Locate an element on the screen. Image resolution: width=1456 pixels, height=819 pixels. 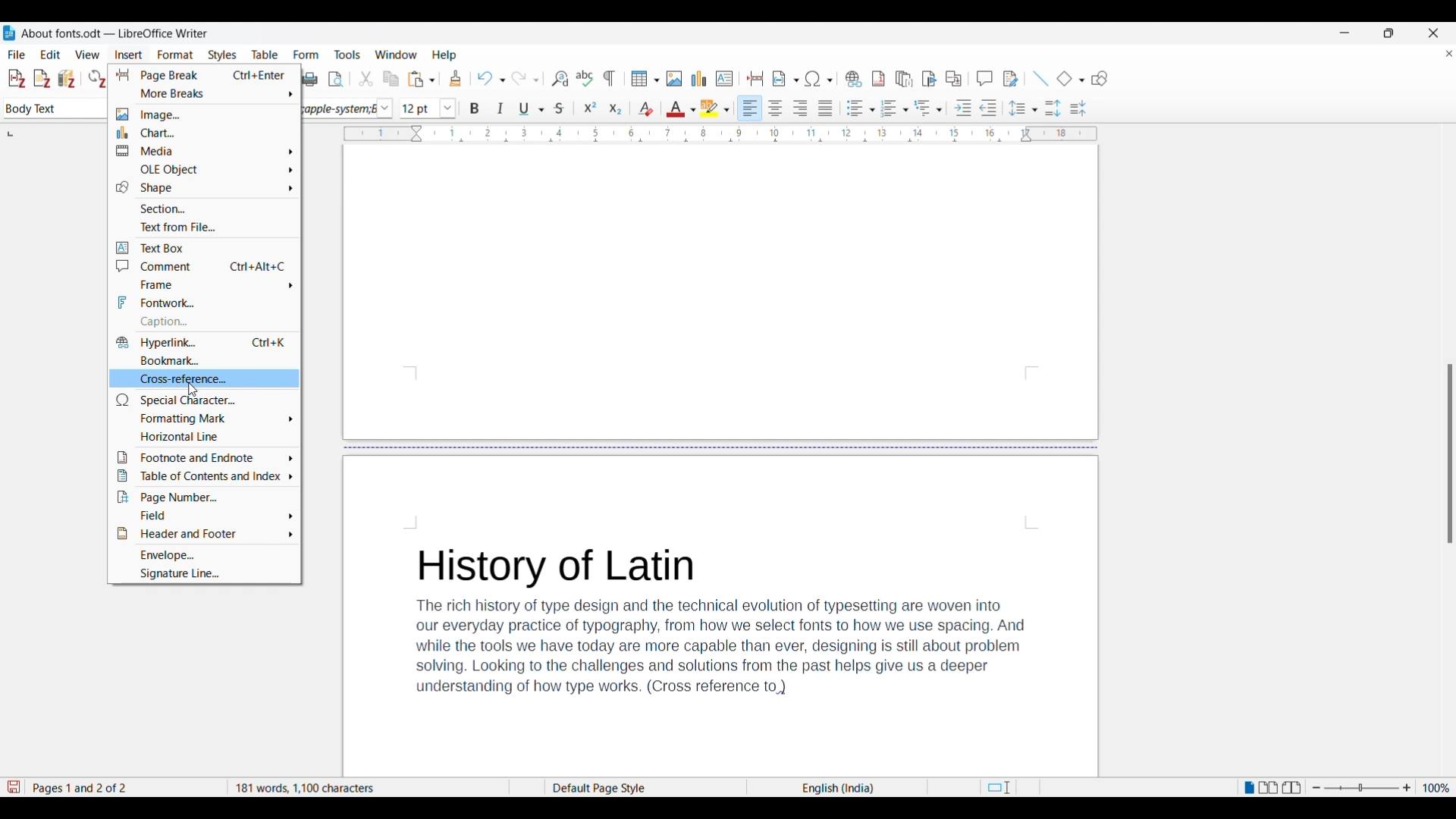
Format is located at coordinates (176, 55).